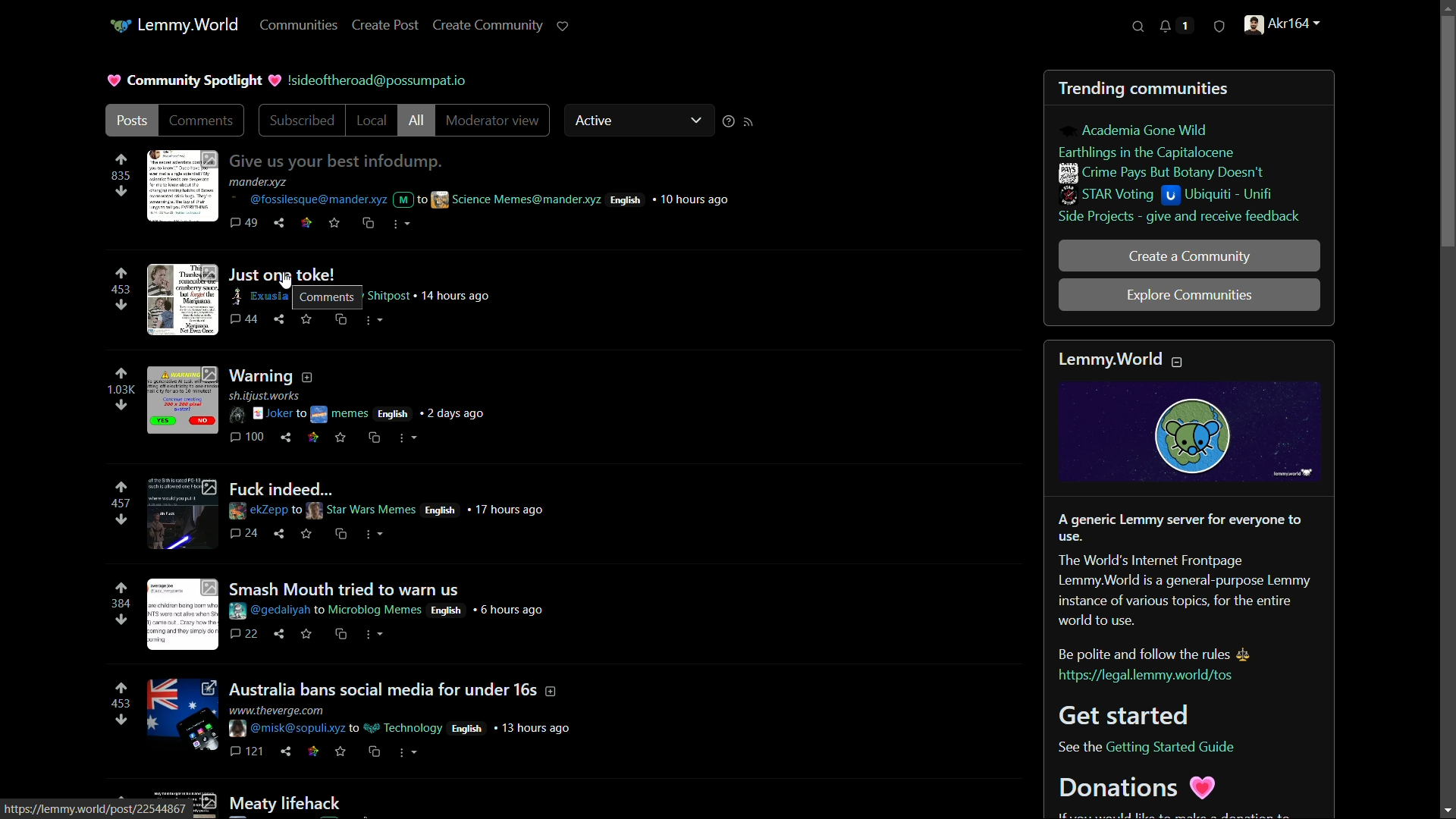  What do you see at coordinates (389, 297) in the screenshot?
I see `Shitpost` at bounding box center [389, 297].